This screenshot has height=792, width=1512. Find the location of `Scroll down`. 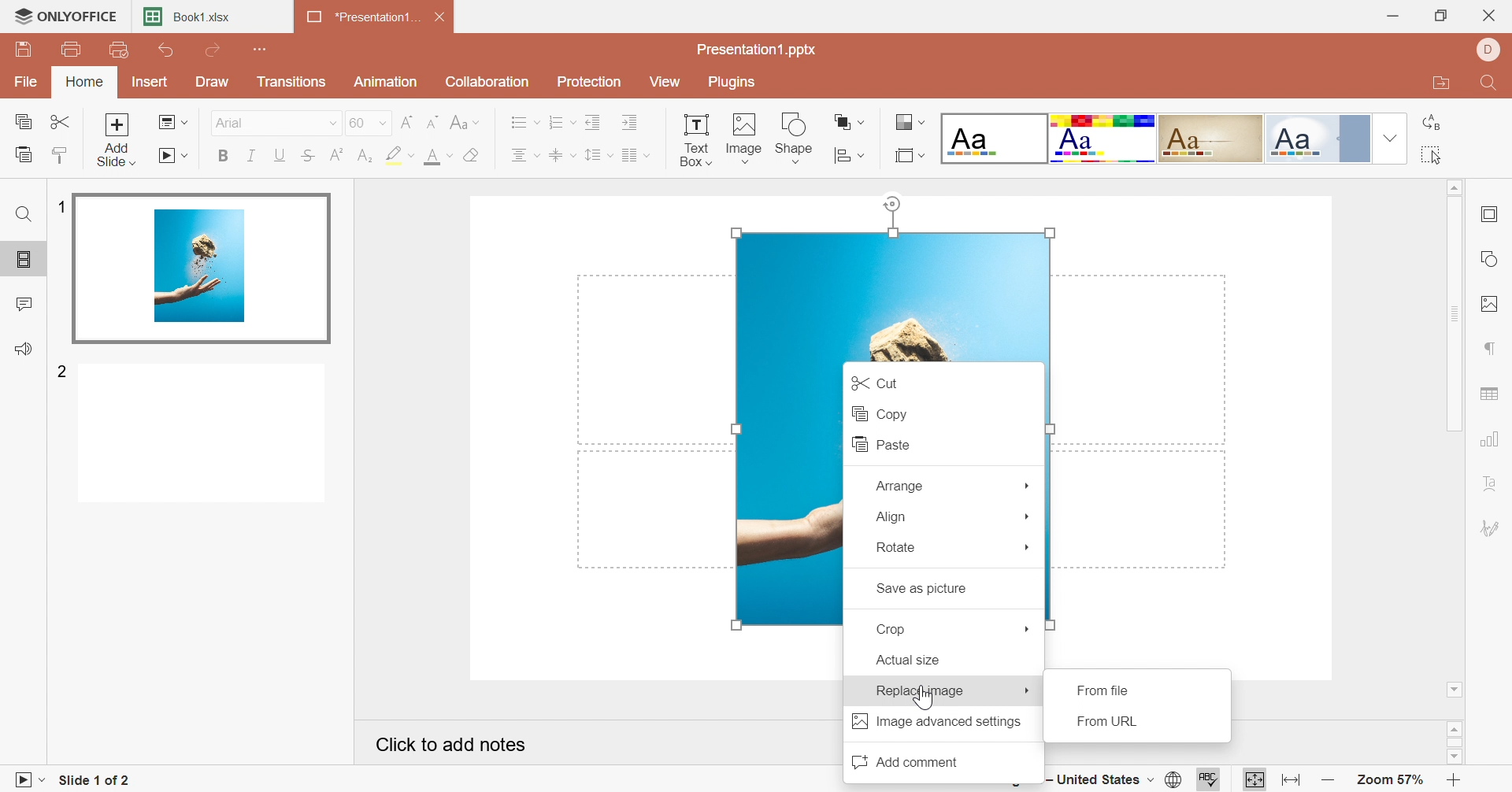

Scroll down is located at coordinates (1455, 690).